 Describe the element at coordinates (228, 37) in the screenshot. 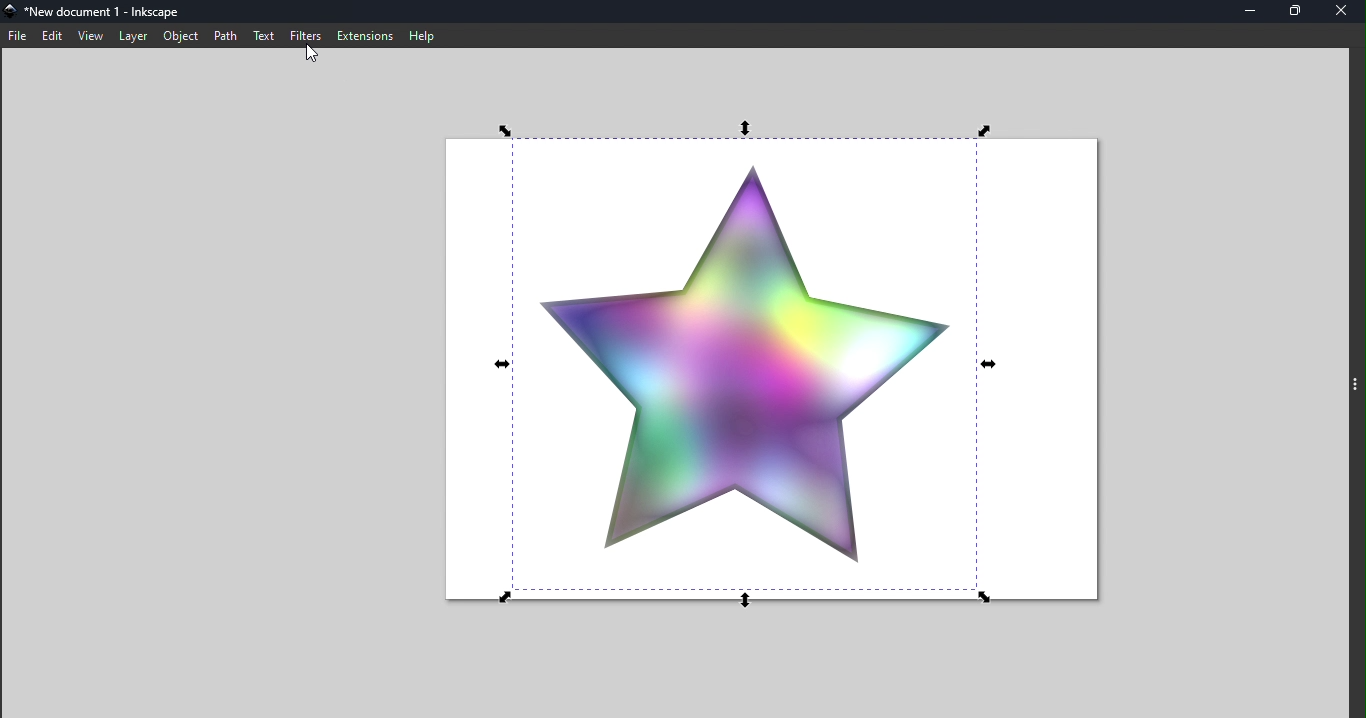

I see `Path` at that location.